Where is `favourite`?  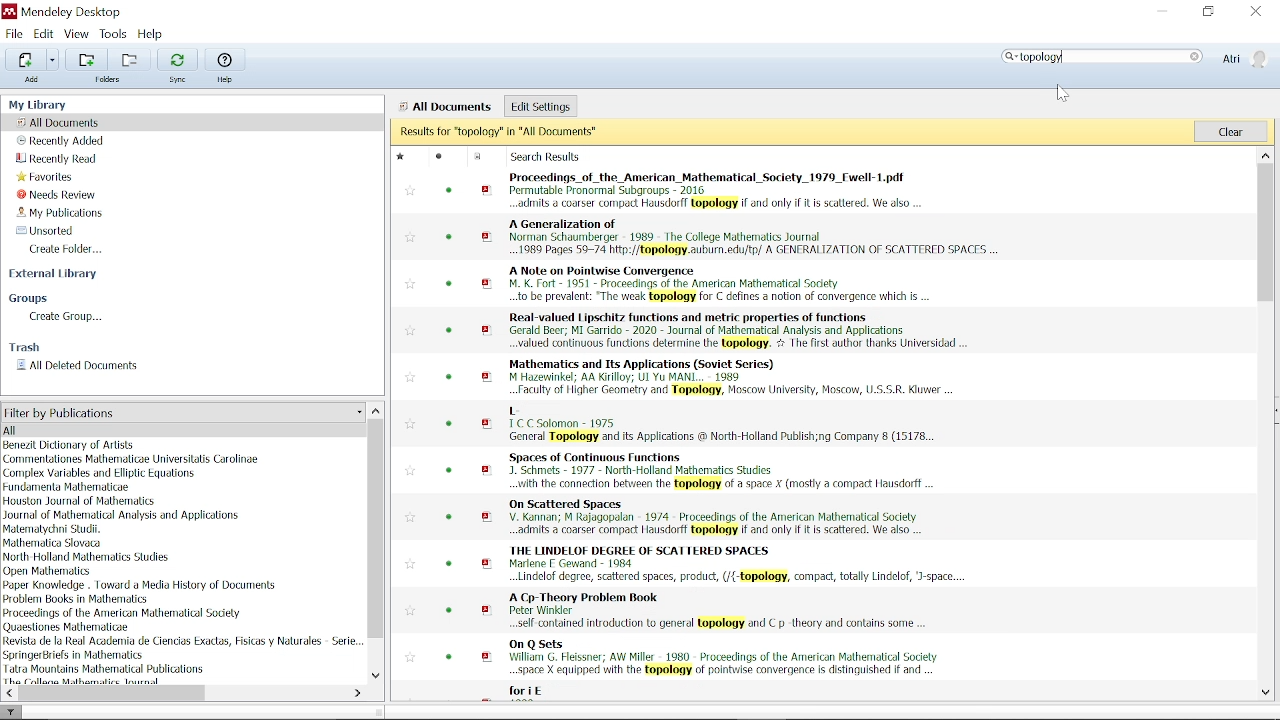
favourite is located at coordinates (409, 612).